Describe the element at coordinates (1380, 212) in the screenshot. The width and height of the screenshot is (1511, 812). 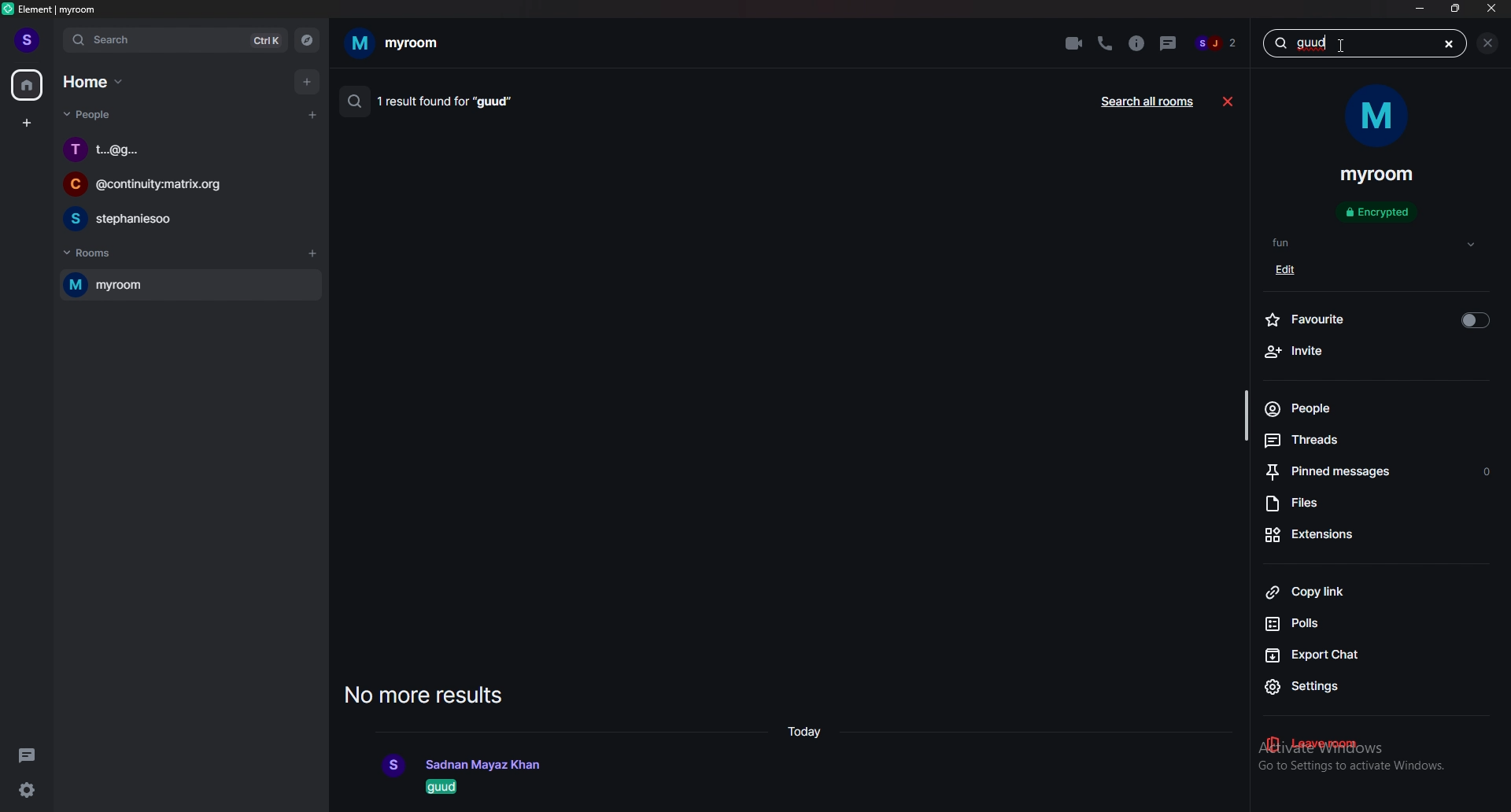
I see `encrypted` at that location.